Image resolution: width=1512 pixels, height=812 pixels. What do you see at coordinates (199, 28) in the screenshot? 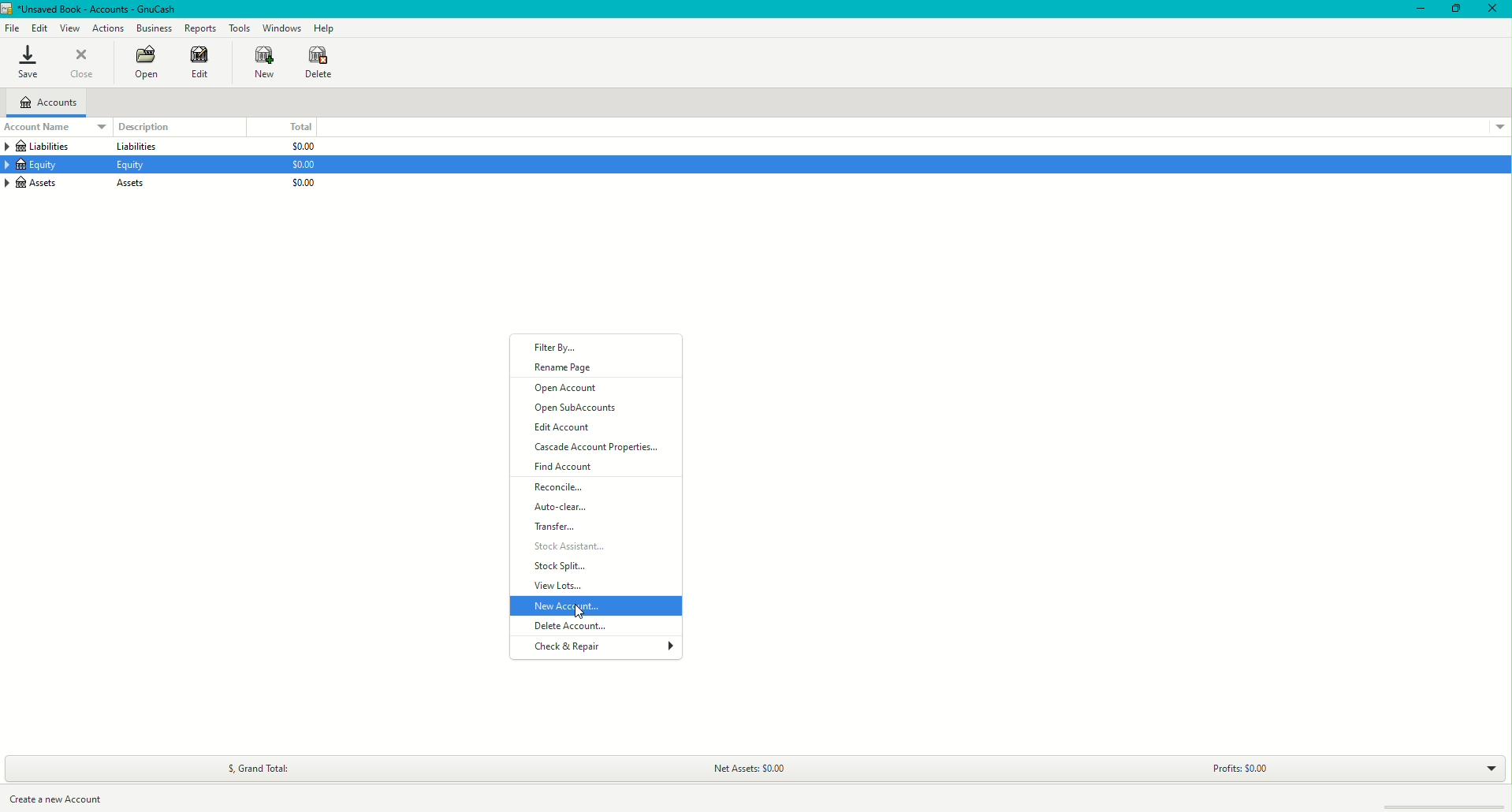
I see `Reports` at bounding box center [199, 28].